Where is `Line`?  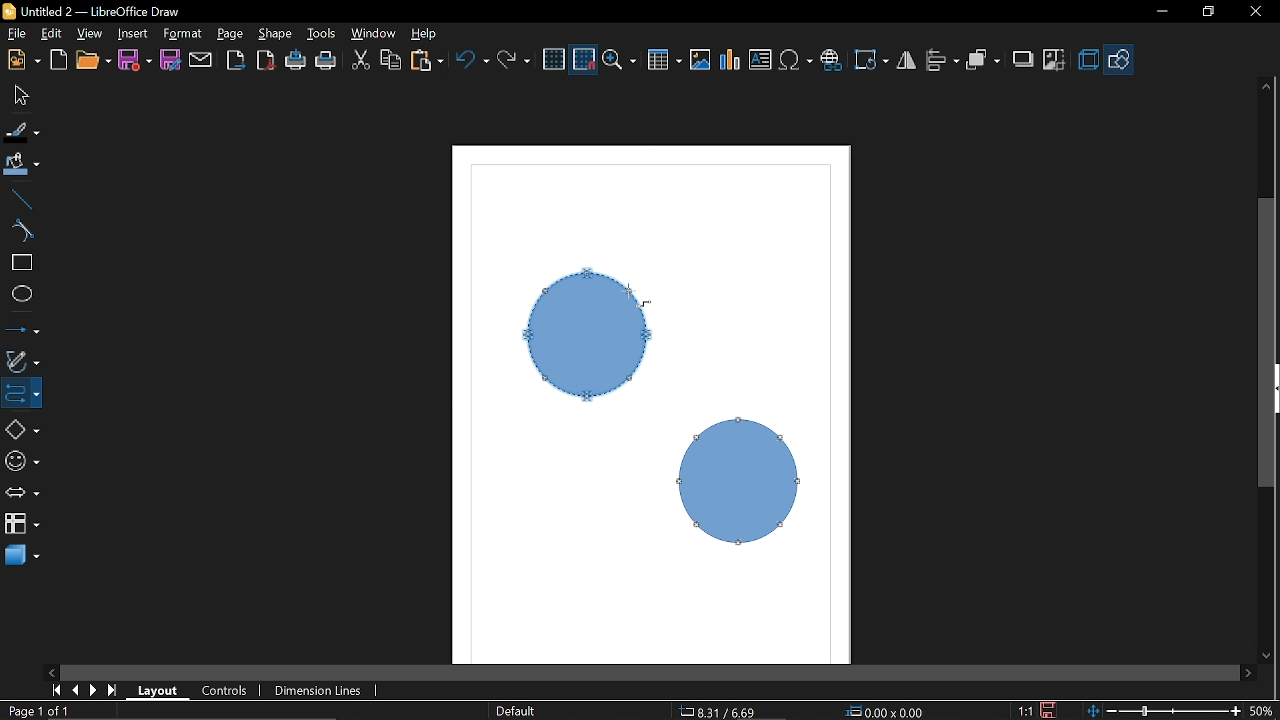 Line is located at coordinates (19, 200).